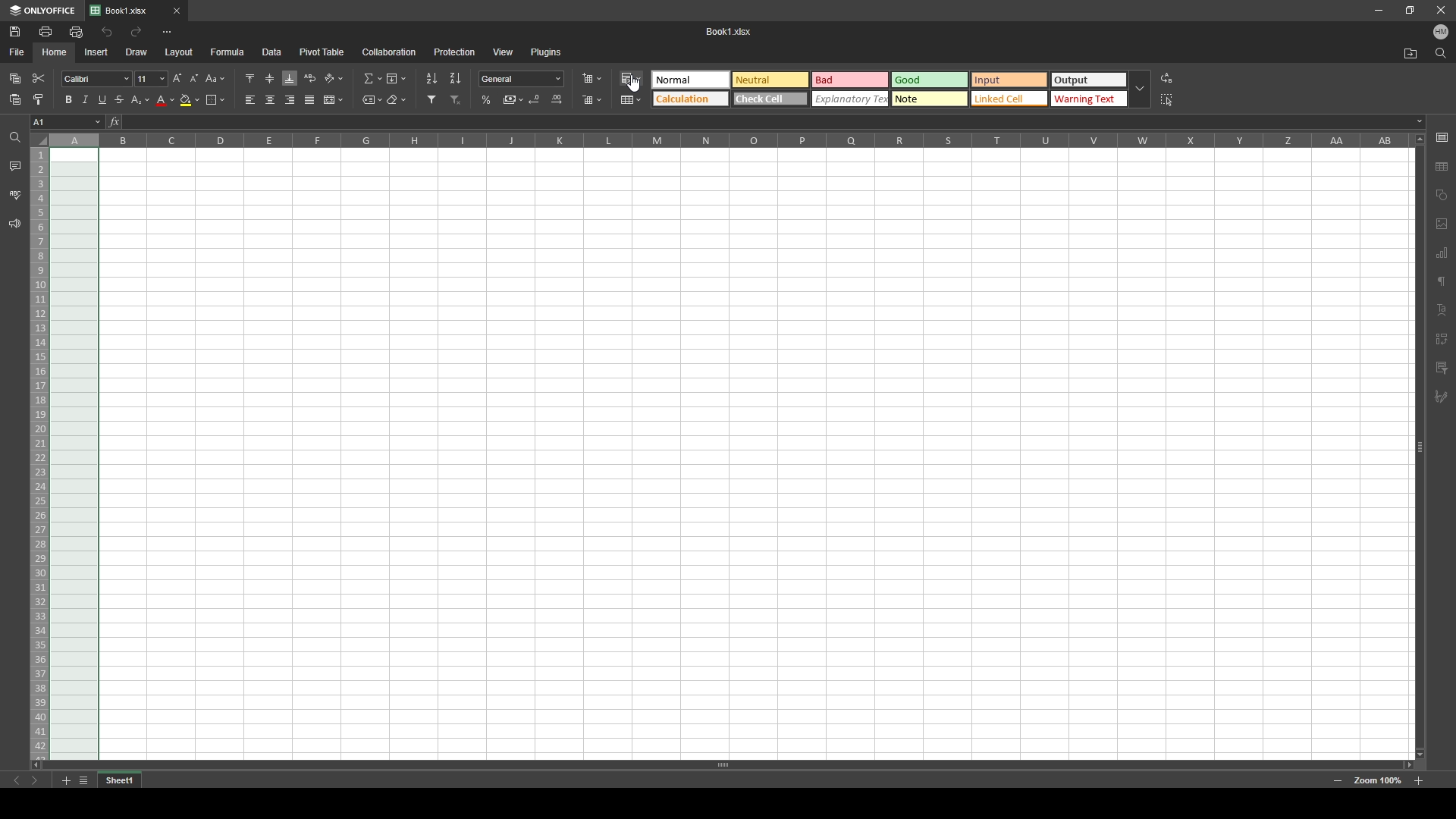 Image resolution: width=1456 pixels, height=819 pixels. I want to click on scroll bar, so click(1419, 446).